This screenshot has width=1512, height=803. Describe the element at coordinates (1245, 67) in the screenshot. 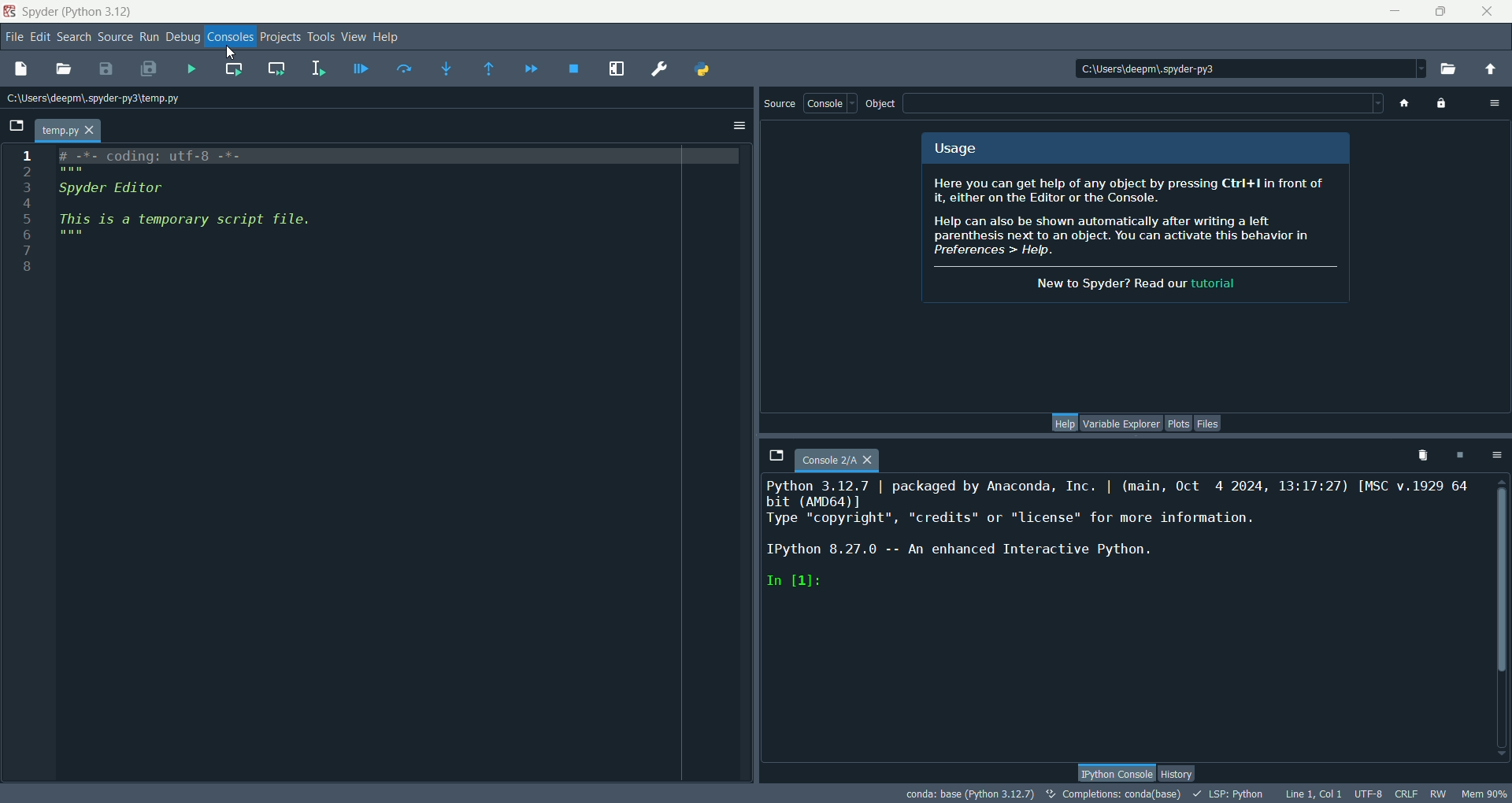

I see `location` at that location.